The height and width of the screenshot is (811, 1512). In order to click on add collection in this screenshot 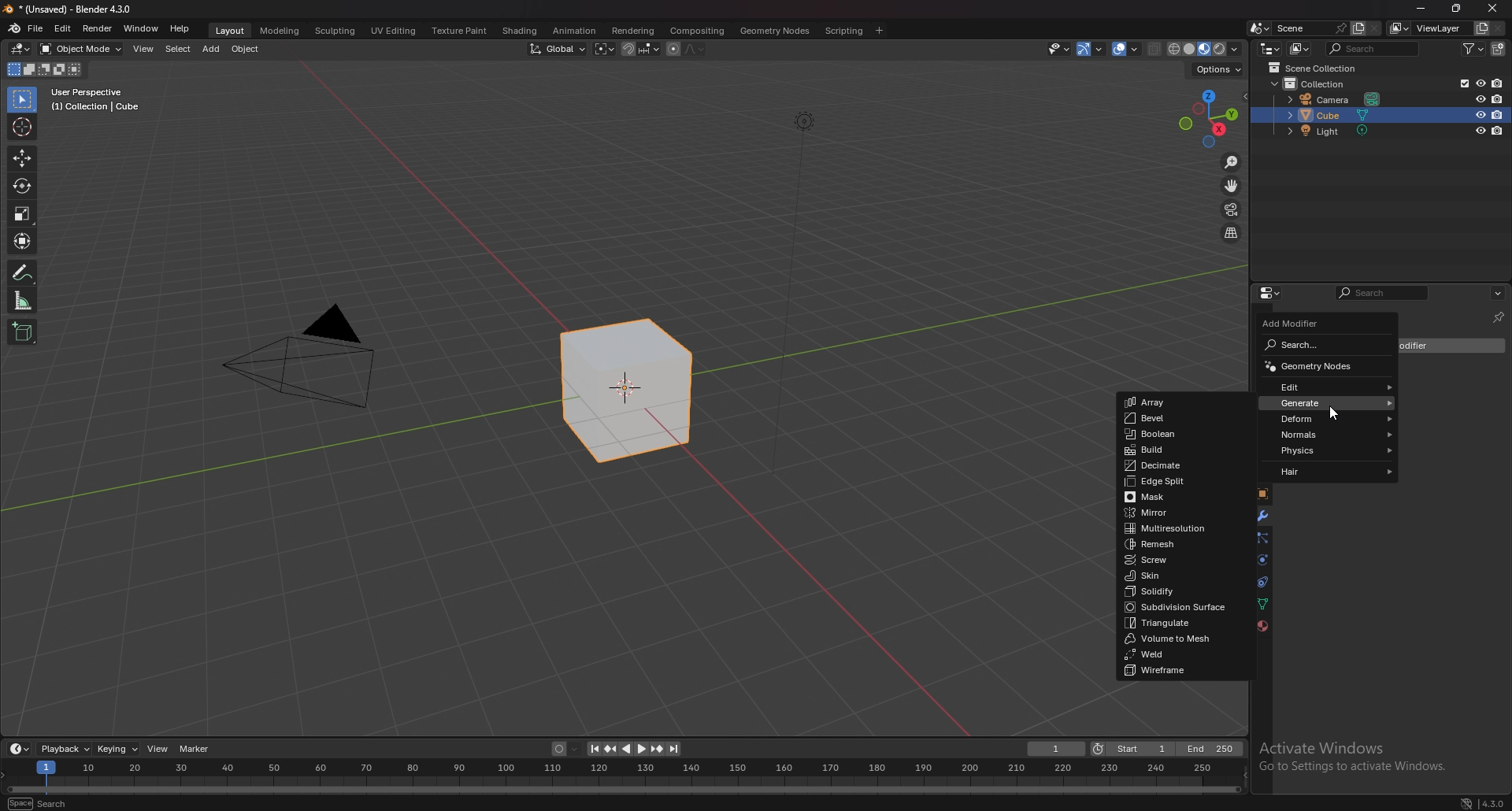, I will do `click(1498, 49)`.